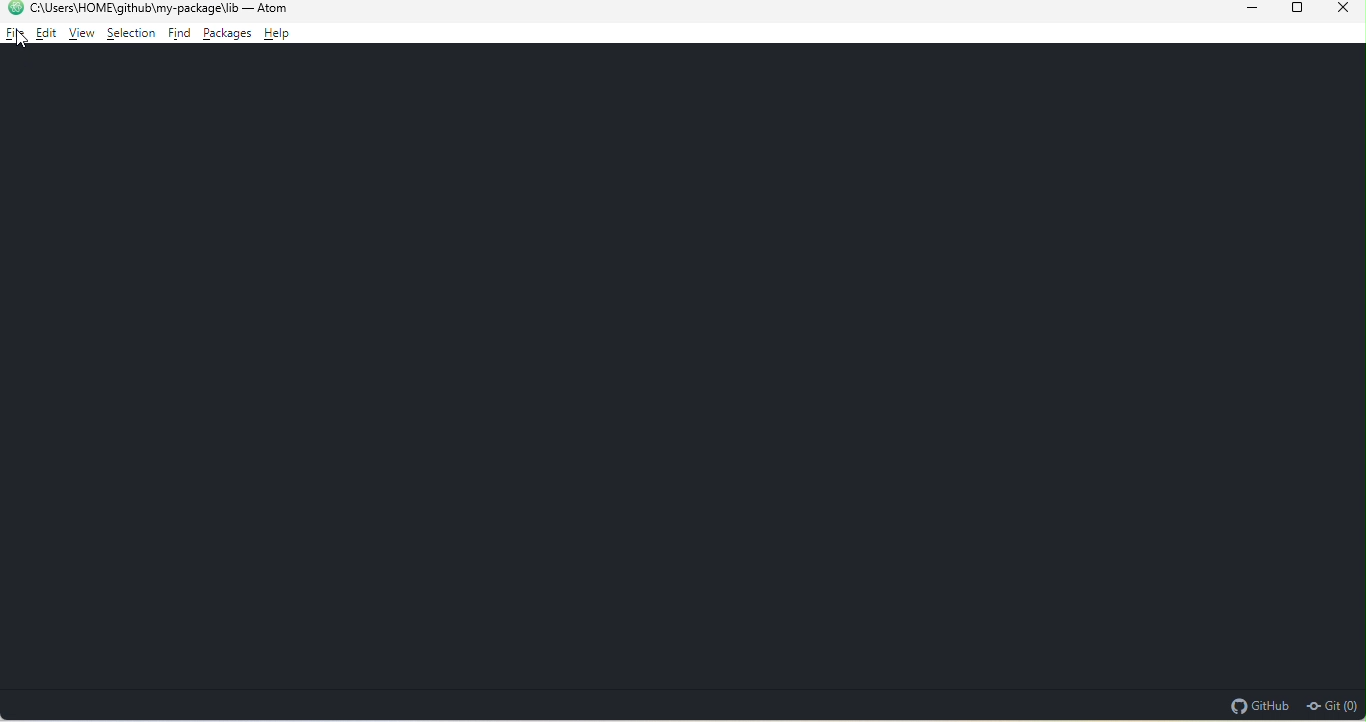 The width and height of the screenshot is (1366, 722). I want to click on view, so click(81, 36).